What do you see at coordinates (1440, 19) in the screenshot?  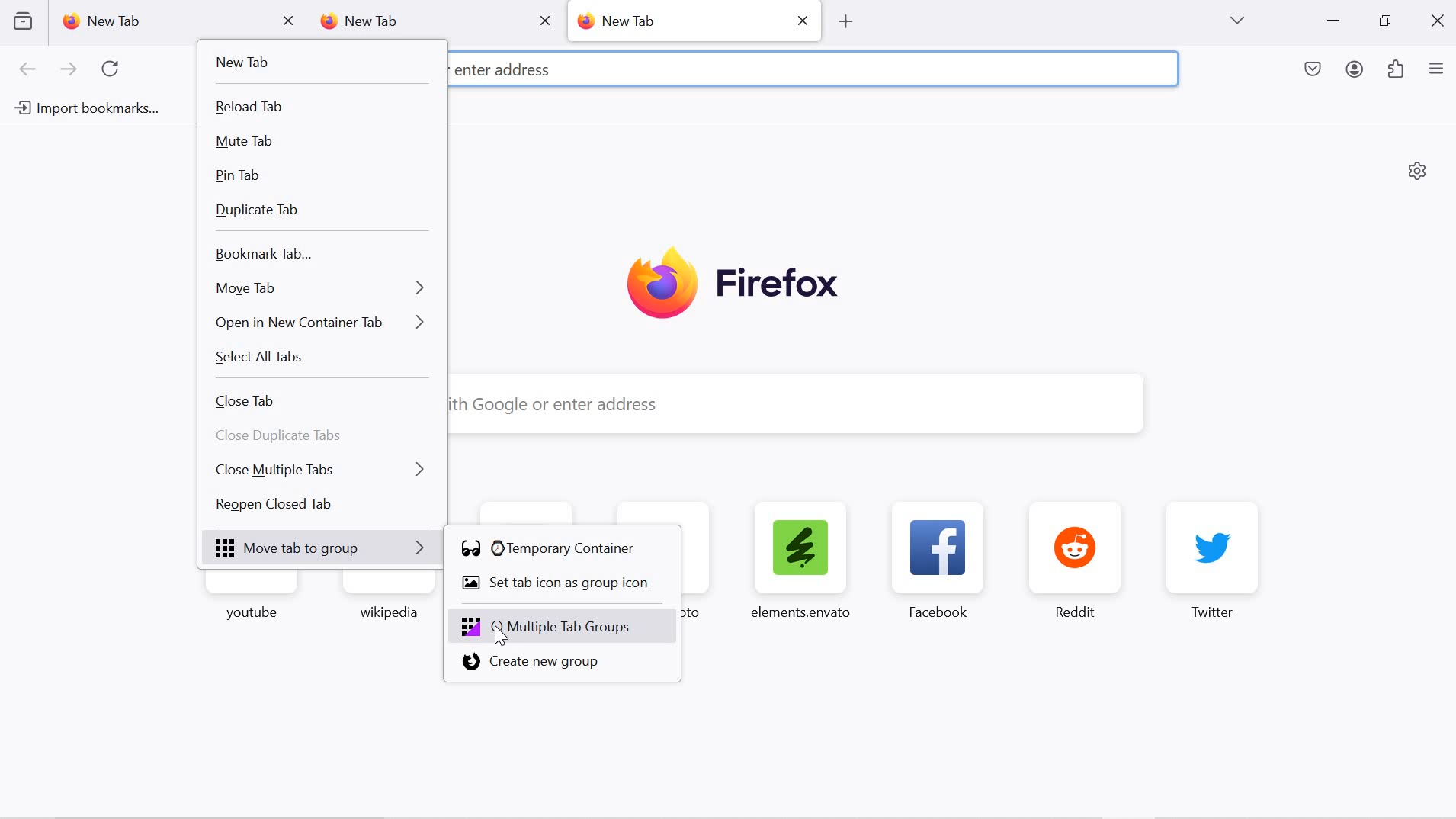 I see `close` at bounding box center [1440, 19].